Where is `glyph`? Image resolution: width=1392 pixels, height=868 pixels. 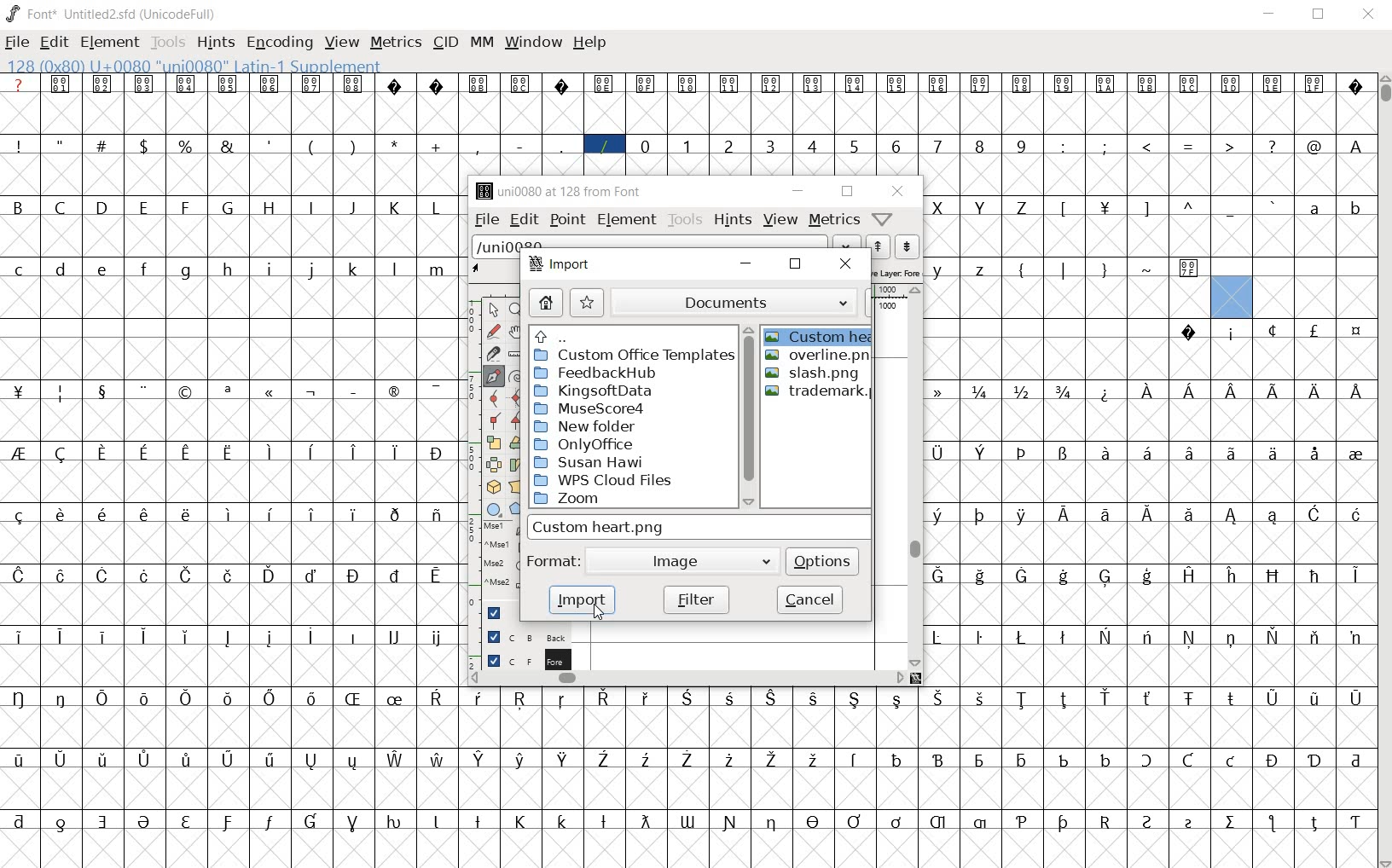
glyph is located at coordinates (227, 638).